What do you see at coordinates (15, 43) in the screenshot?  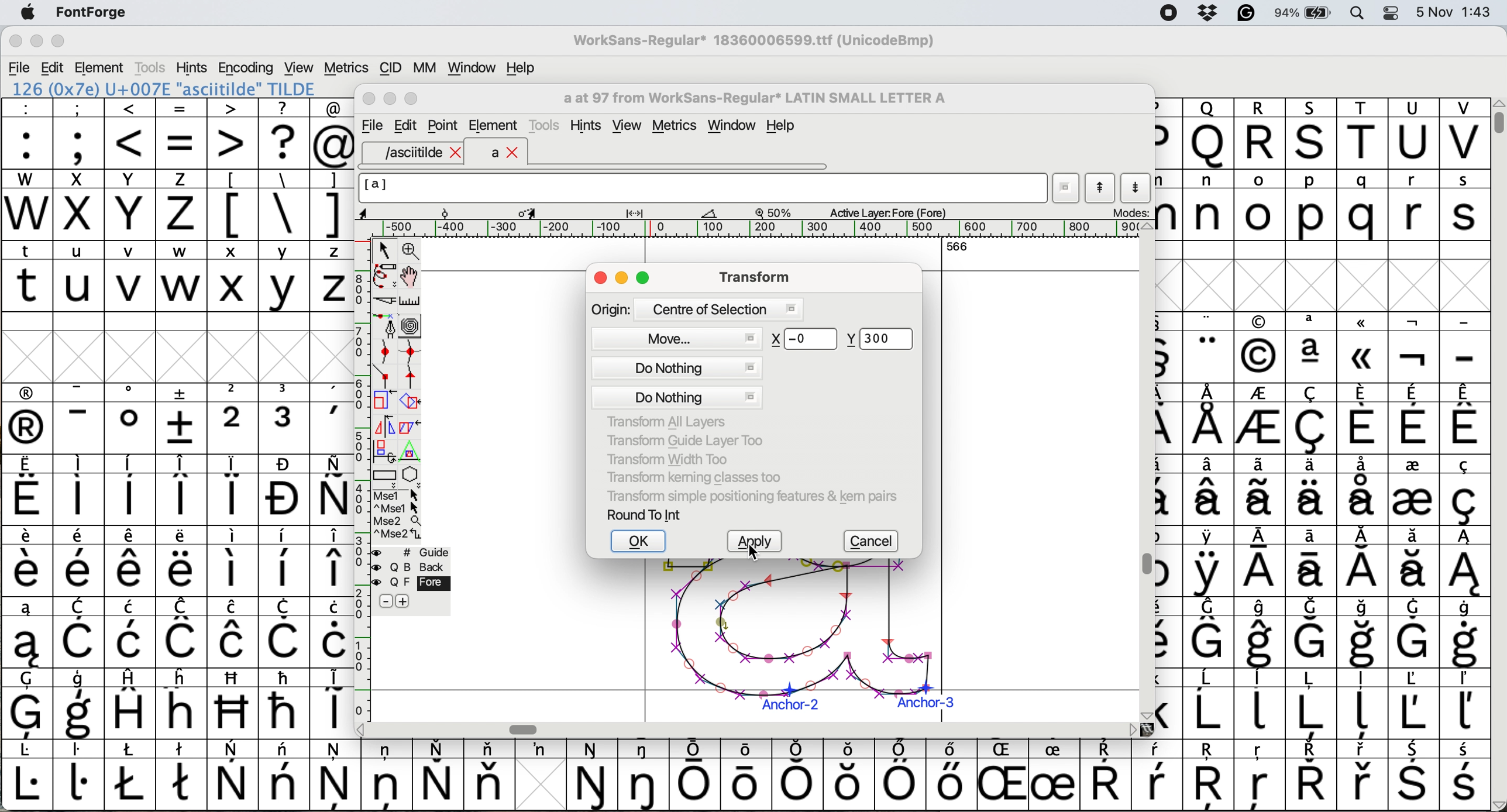 I see `close` at bounding box center [15, 43].